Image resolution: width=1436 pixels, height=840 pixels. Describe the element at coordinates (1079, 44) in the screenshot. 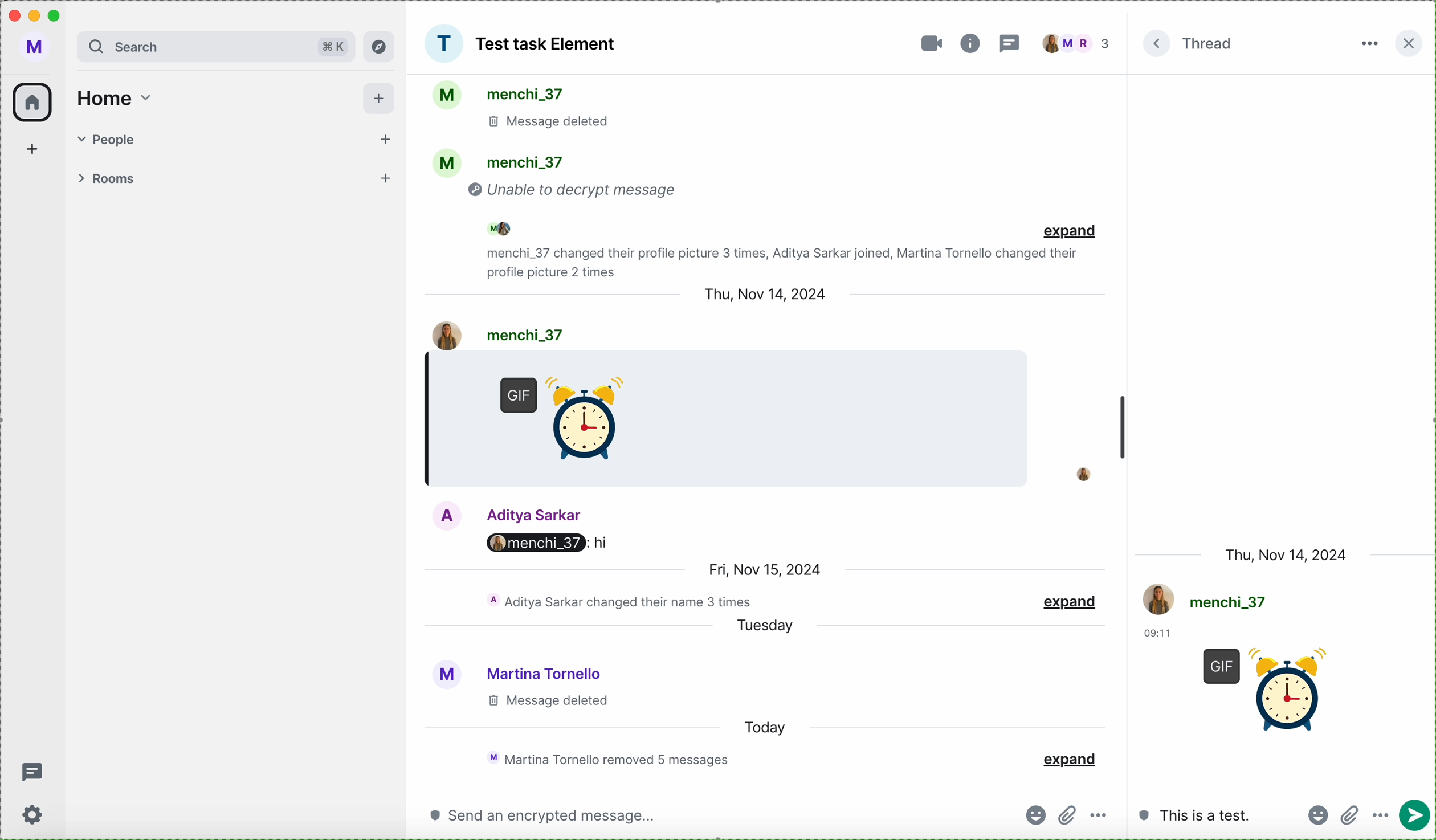

I see `people` at that location.